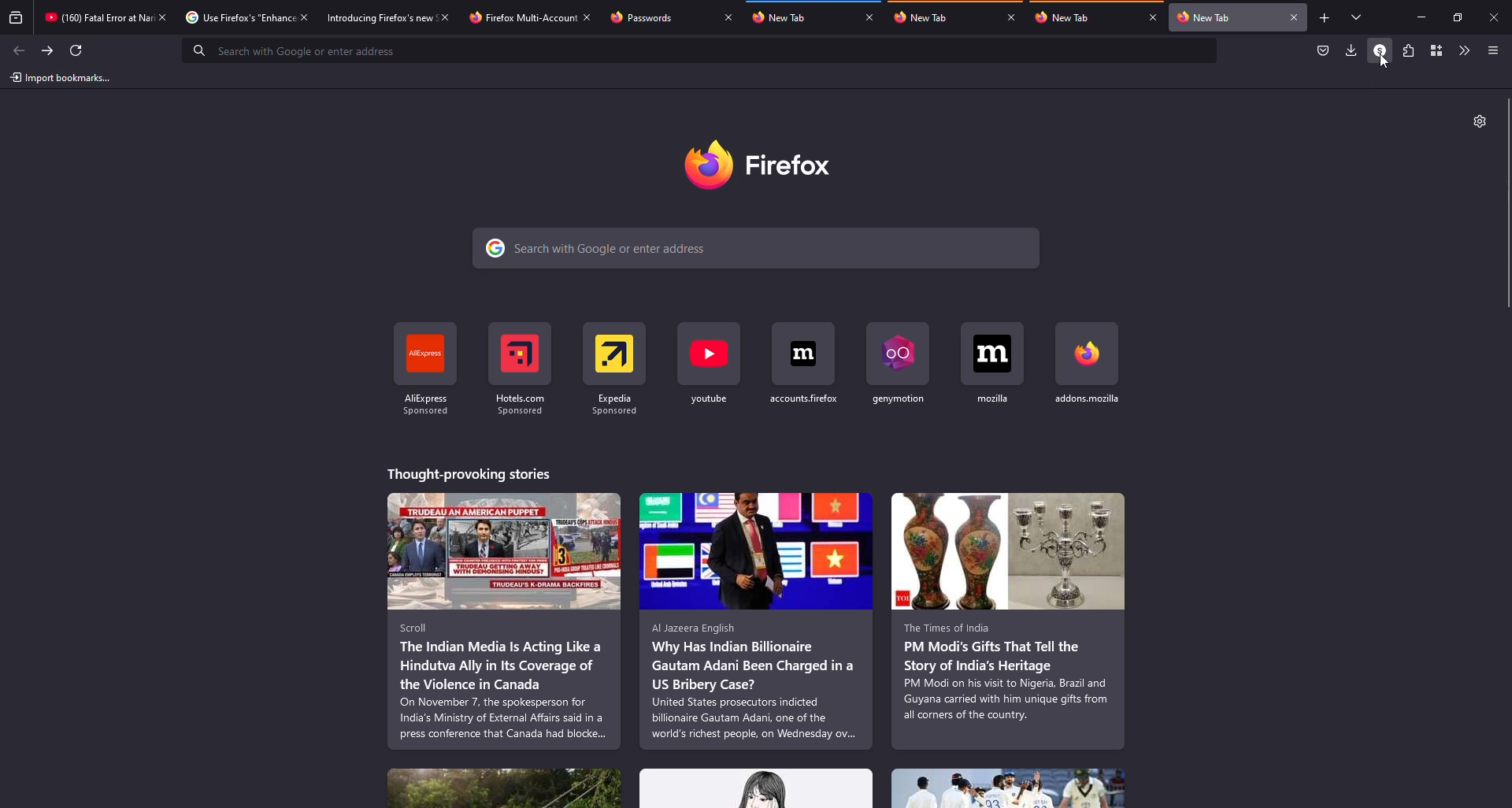 The height and width of the screenshot is (808, 1512). What do you see at coordinates (506, 621) in the screenshot?
I see `stories` at bounding box center [506, 621].